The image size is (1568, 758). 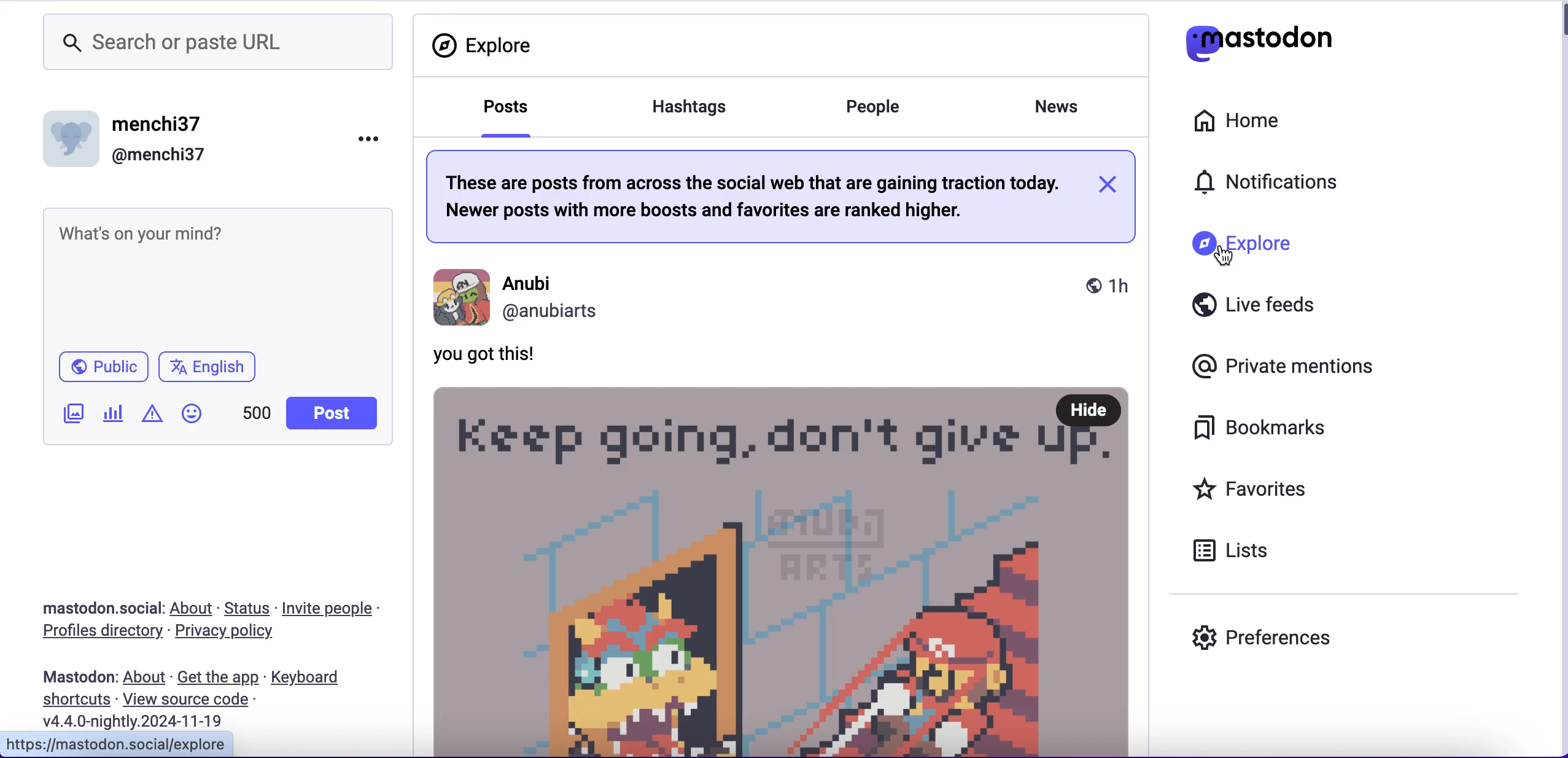 What do you see at coordinates (1275, 184) in the screenshot?
I see `notifications` at bounding box center [1275, 184].